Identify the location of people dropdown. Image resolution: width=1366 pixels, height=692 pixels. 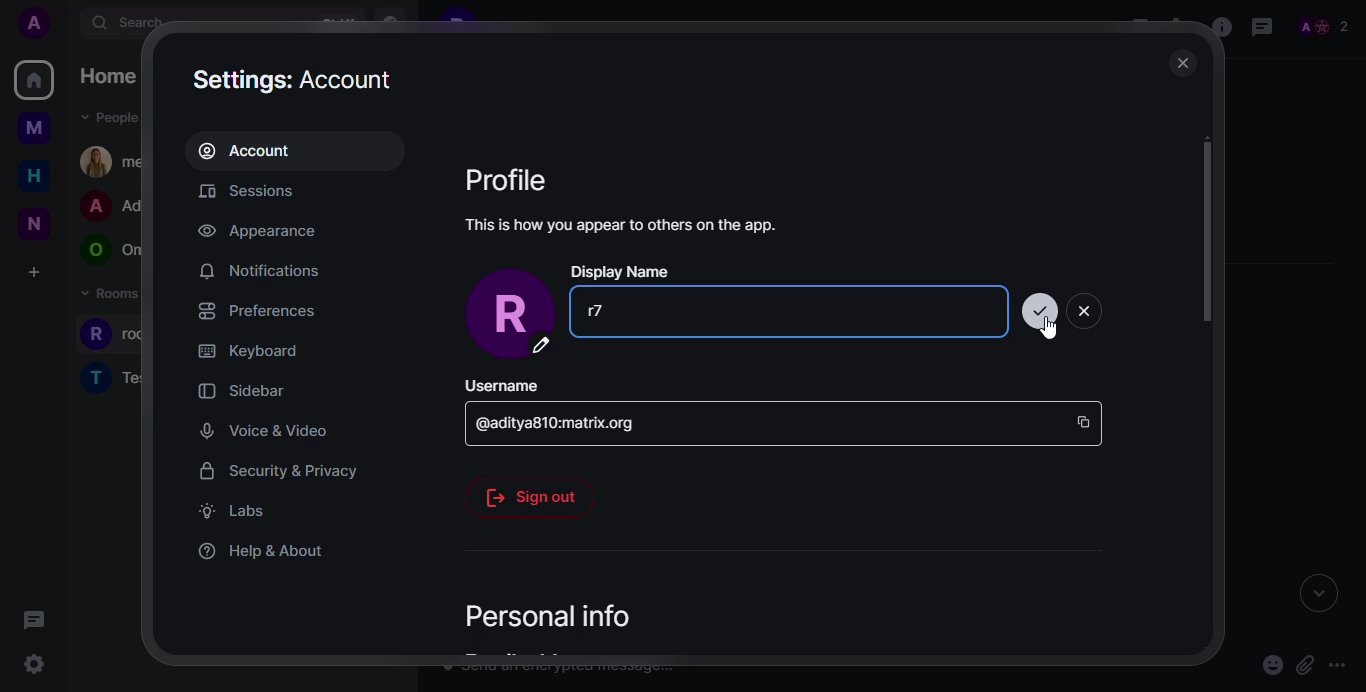
(111, 116).